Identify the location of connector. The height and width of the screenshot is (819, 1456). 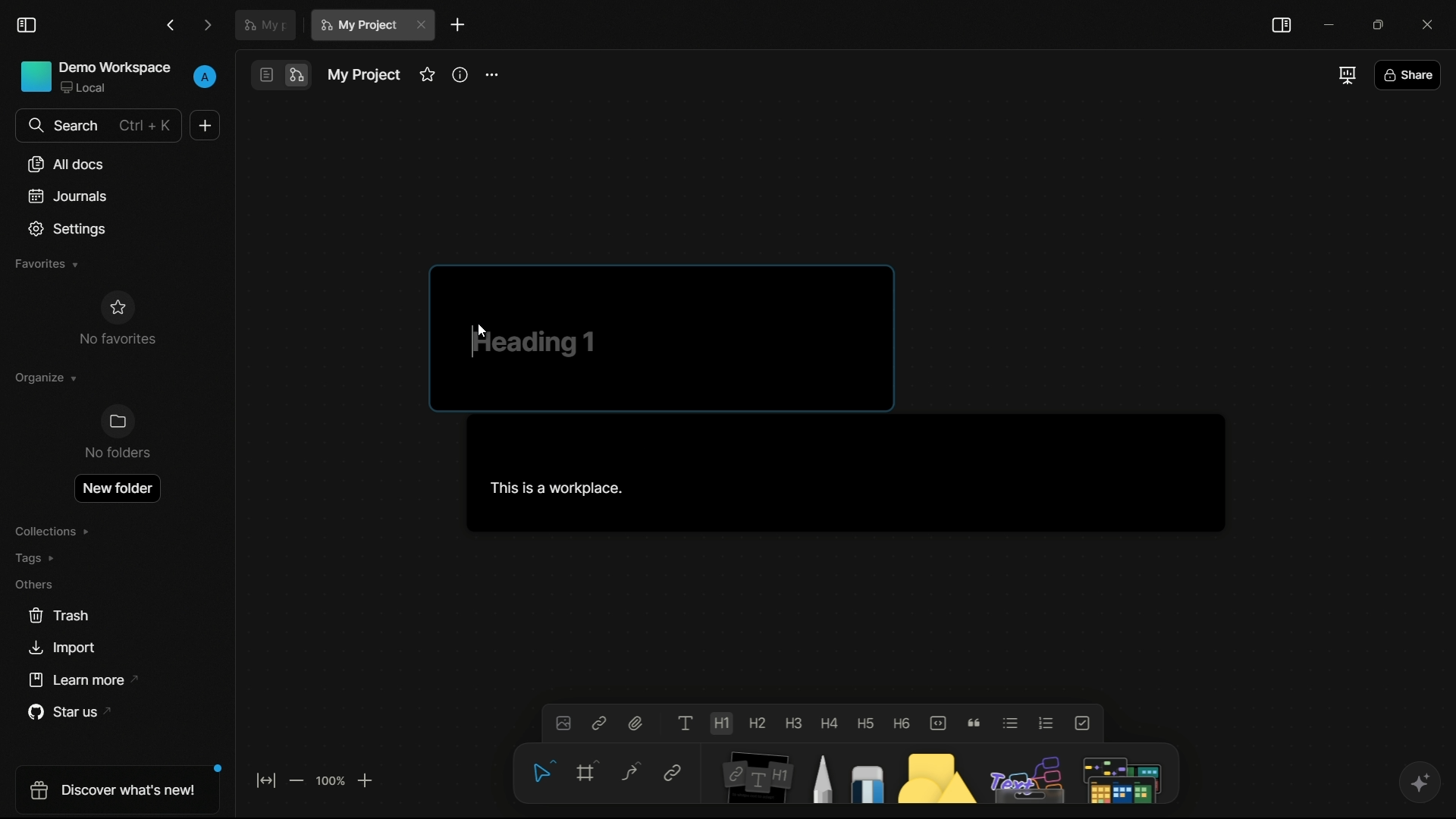
(626, 772).